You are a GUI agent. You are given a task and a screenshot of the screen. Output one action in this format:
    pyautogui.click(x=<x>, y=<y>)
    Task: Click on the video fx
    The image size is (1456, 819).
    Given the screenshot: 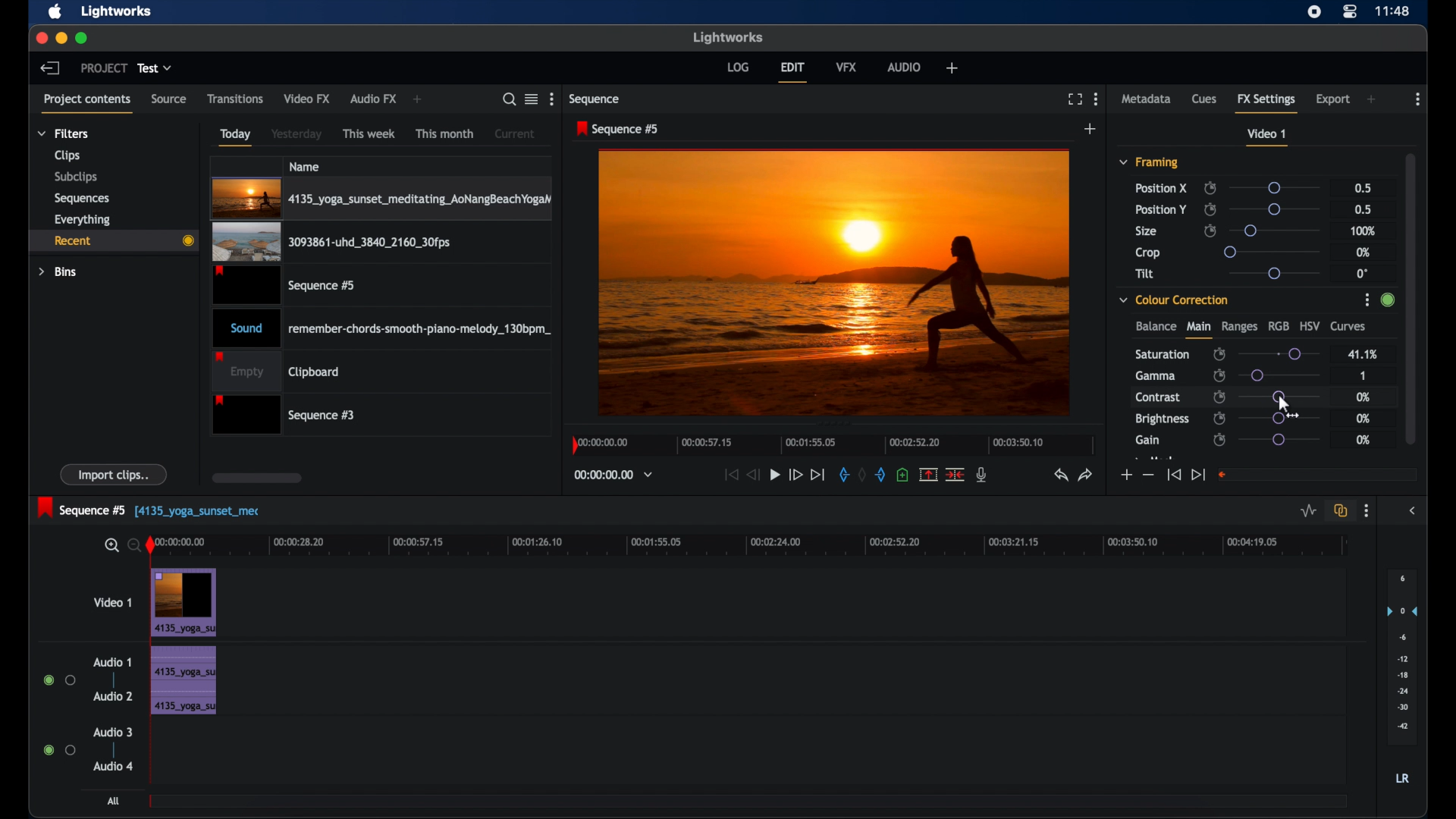 What is the action you would take?
    pyautogui.click(x=308, y=99)
    